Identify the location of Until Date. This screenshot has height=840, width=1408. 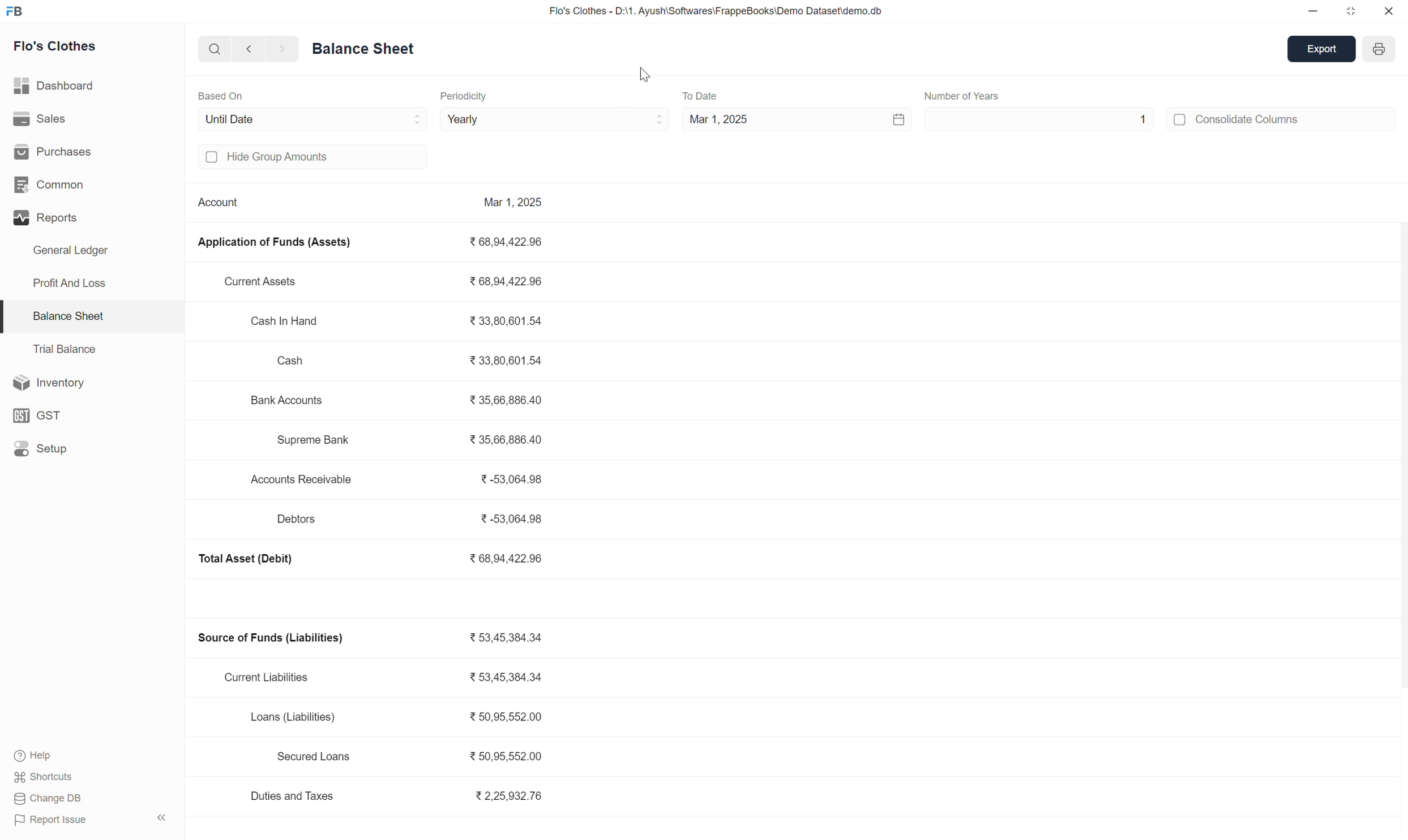
(307, 120).